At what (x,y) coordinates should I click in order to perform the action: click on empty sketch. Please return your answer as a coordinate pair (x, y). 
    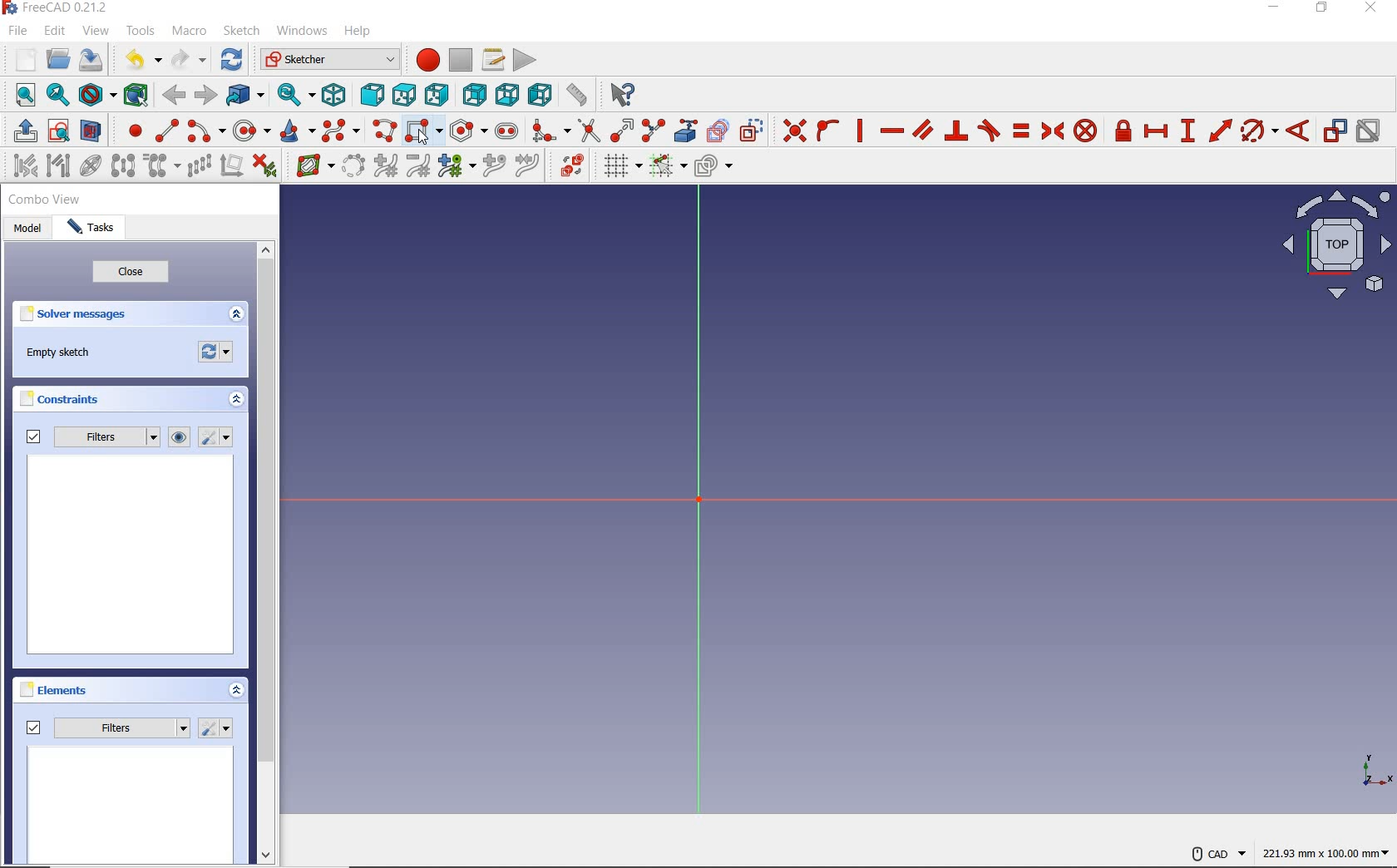
    Looking at the image, I should click on (62, 354).